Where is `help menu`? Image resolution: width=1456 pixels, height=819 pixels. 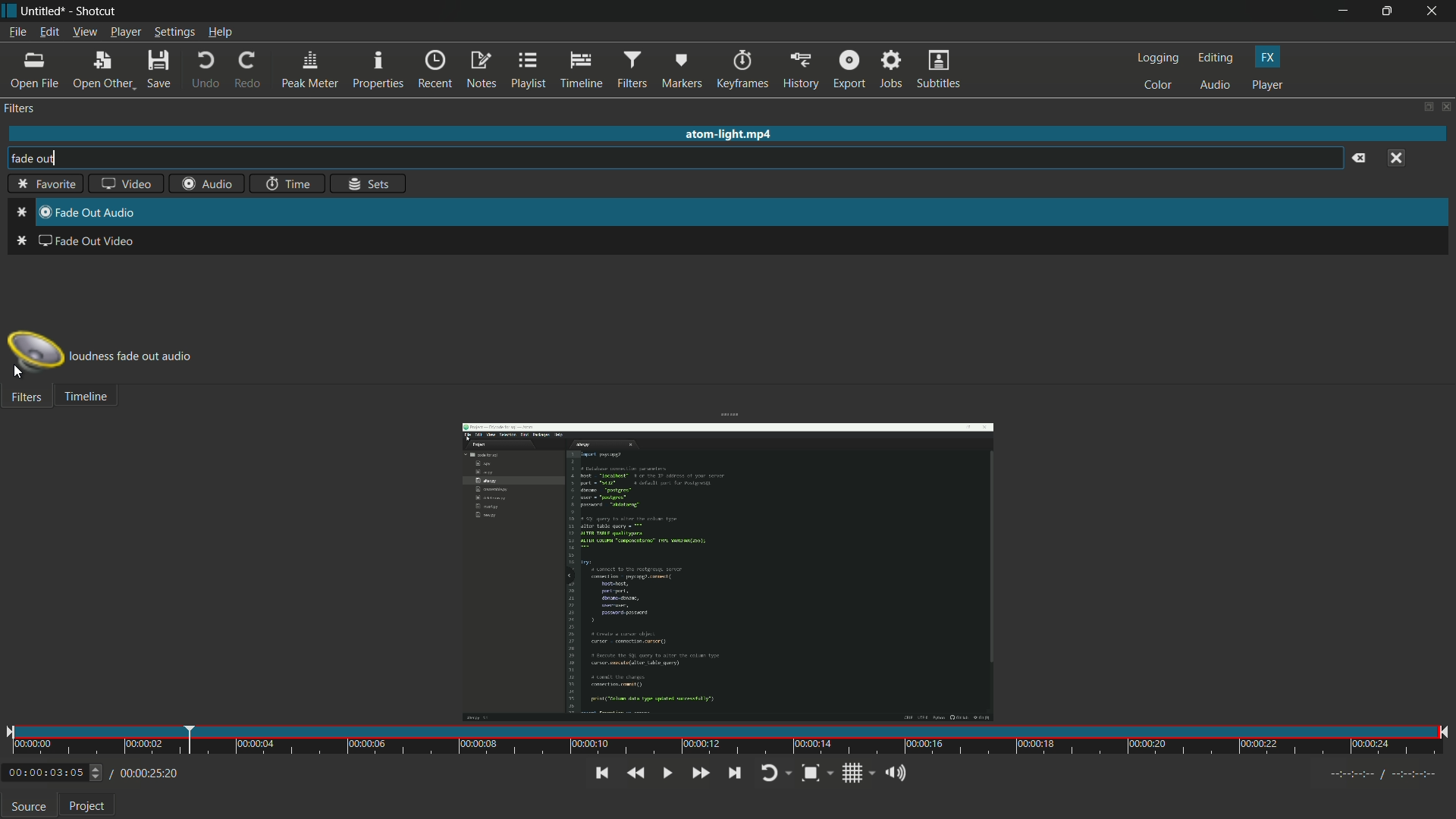
help menu is located at coordinates (221, 33).